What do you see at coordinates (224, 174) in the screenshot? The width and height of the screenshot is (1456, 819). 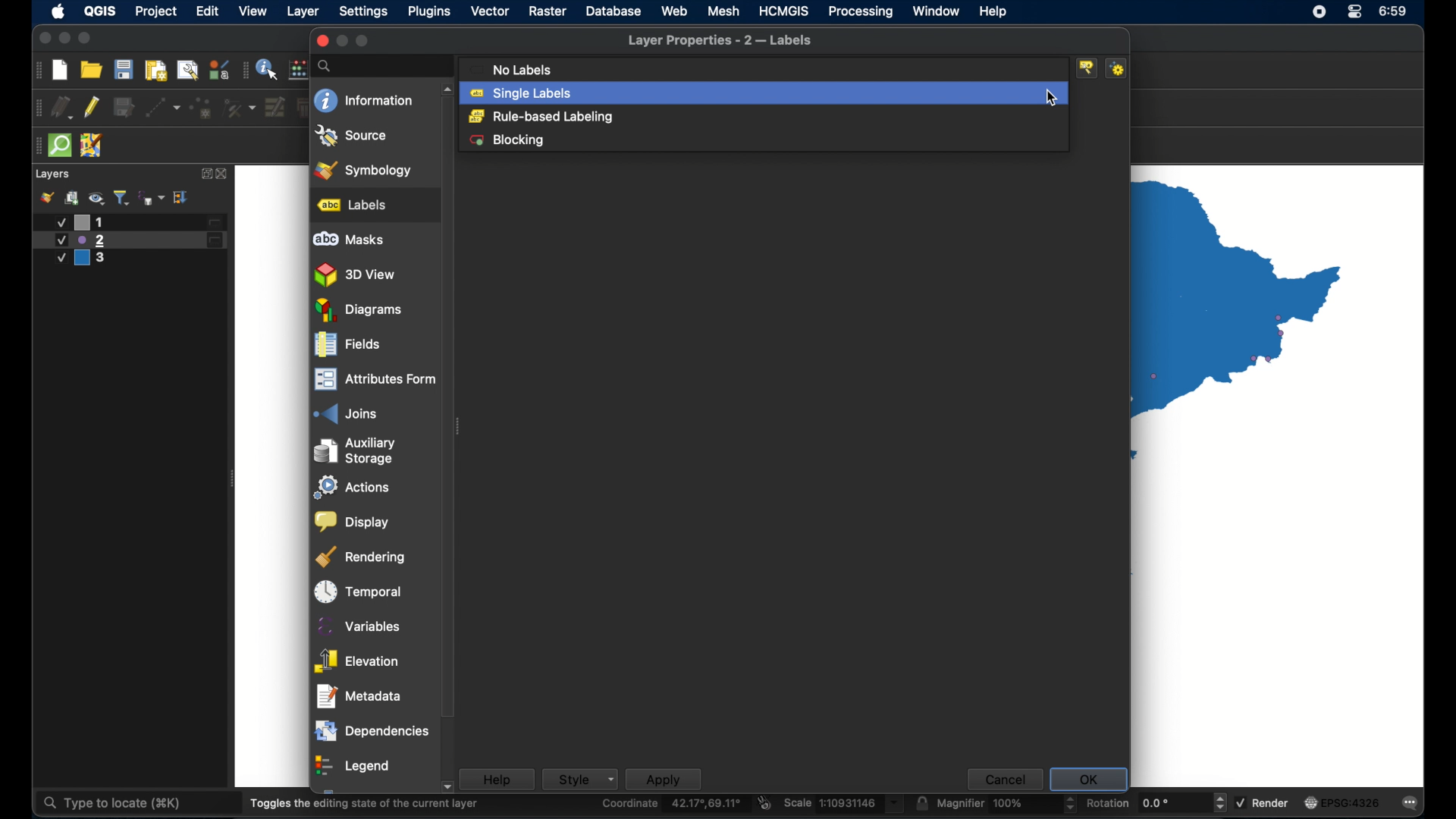 I see `close` at bounding box center [224, 174].